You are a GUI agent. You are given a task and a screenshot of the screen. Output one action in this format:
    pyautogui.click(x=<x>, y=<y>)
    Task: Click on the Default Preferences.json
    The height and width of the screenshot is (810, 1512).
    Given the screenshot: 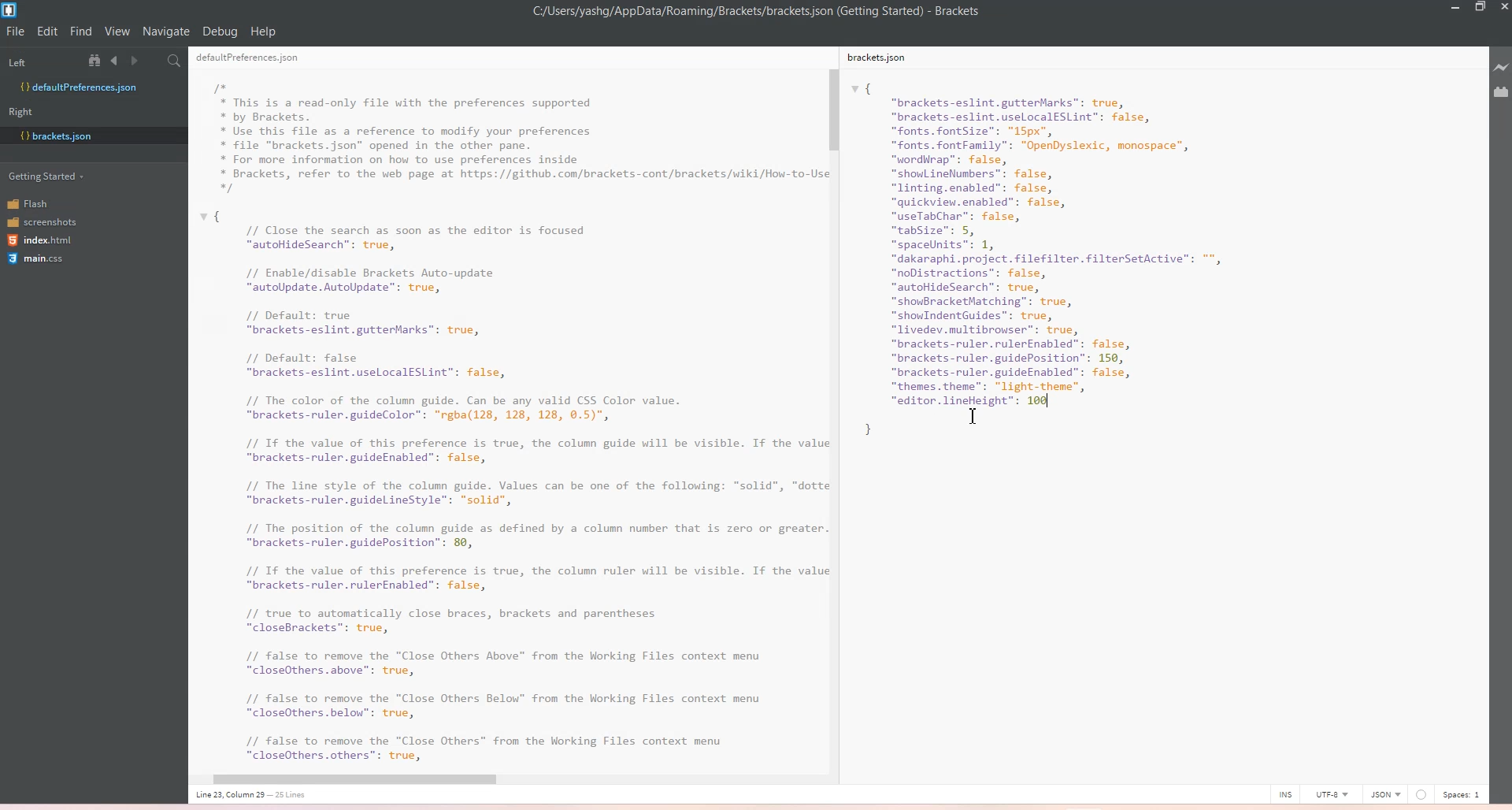 What is the action you would take?
    pyautogui.click(x=78, y=87)
    